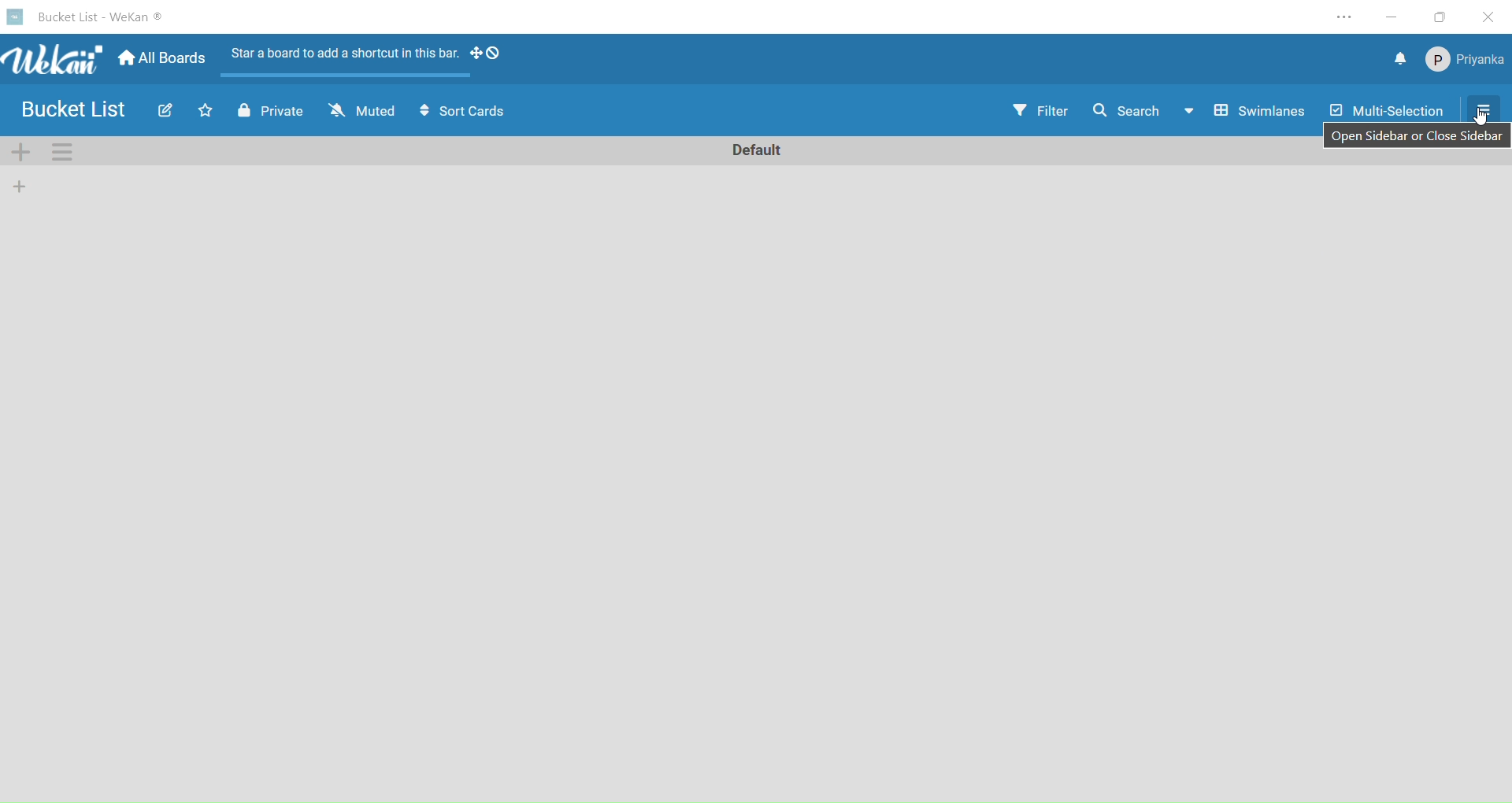 The width and height of the screenshot is (1512, 803). What do you see at coordinates (491, 54) in the screenshot?
I see `show desktop drag handles` at bounding box center [491, 54].